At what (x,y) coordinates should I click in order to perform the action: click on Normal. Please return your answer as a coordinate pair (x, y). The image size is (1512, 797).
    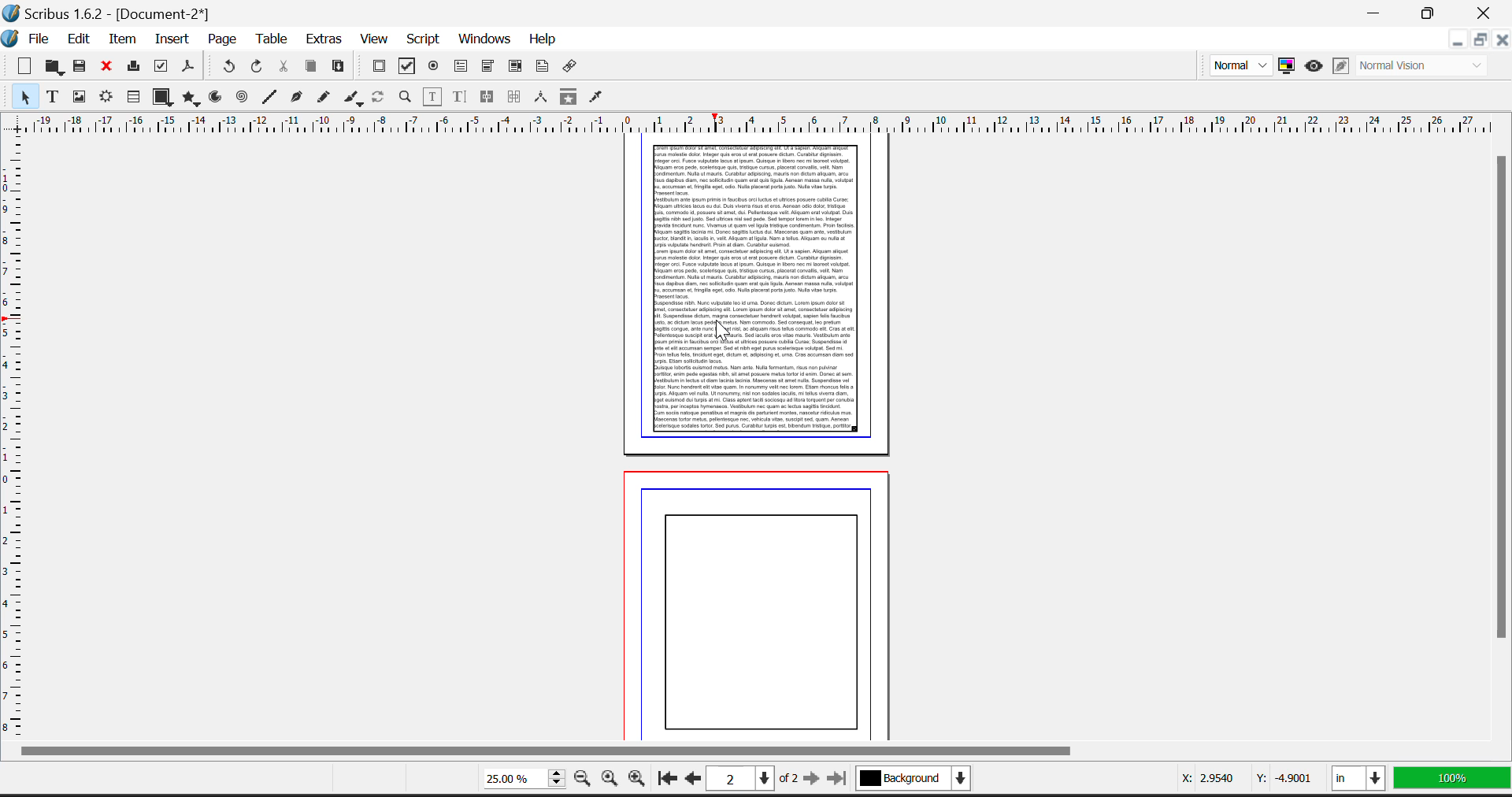
    Looking at the image, I should click on (1239, 65).